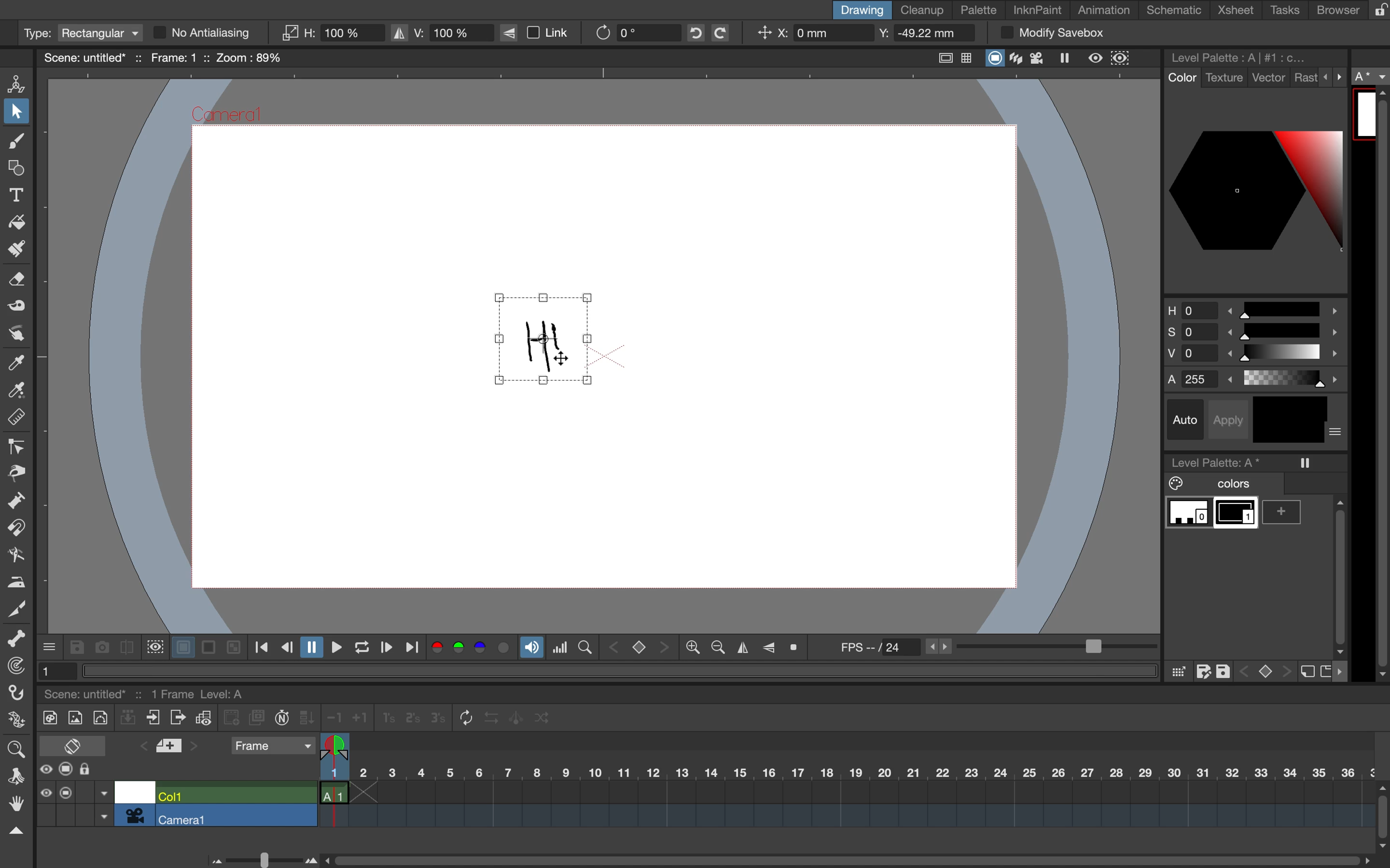 This screenshot has width=1390, height=868. Describe the element at coordinates (1223, 78) in the screenshot. I see `texture` at that location.